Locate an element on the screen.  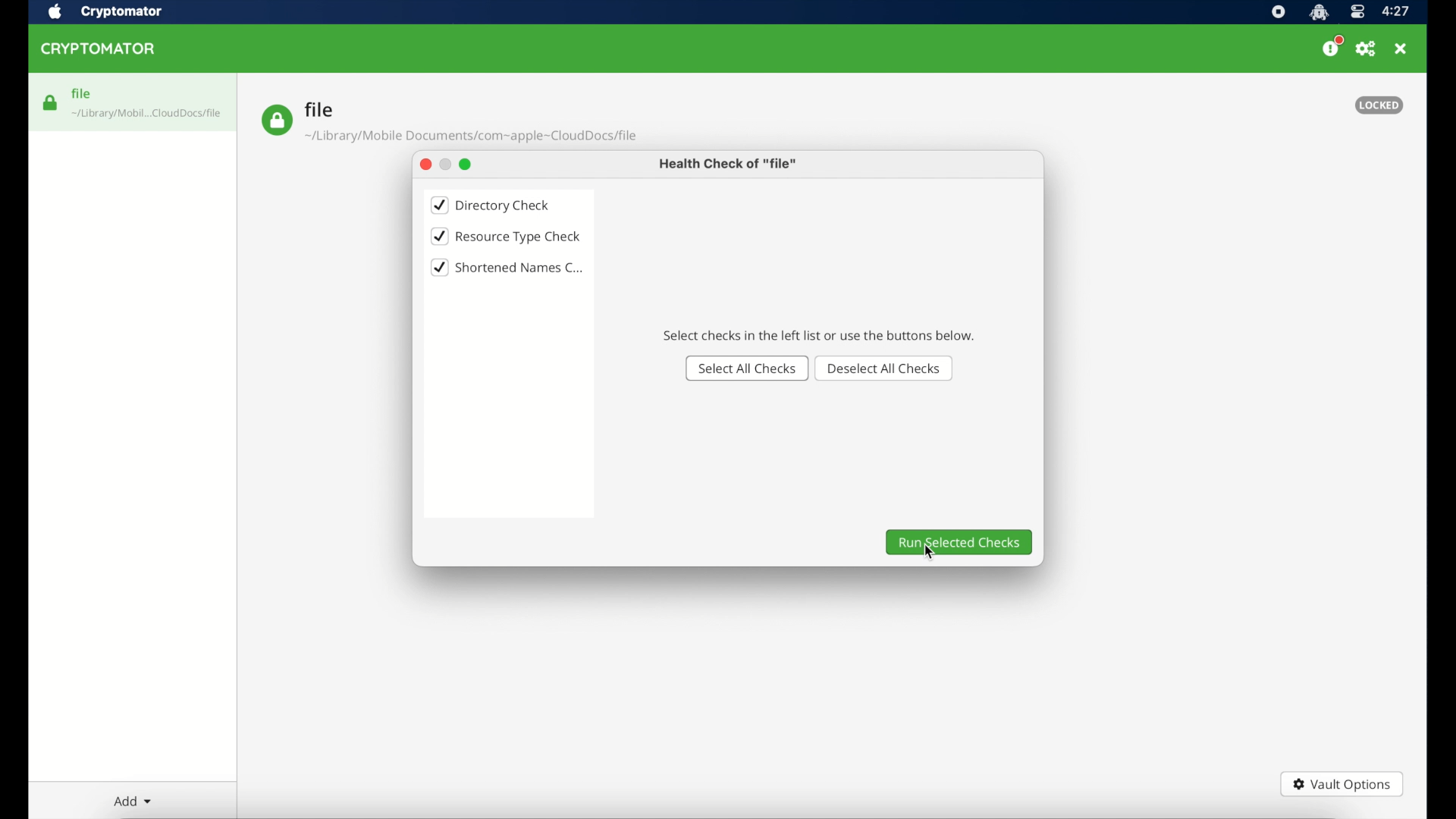
cryptomator icon is located at coordinates (1319, 12).